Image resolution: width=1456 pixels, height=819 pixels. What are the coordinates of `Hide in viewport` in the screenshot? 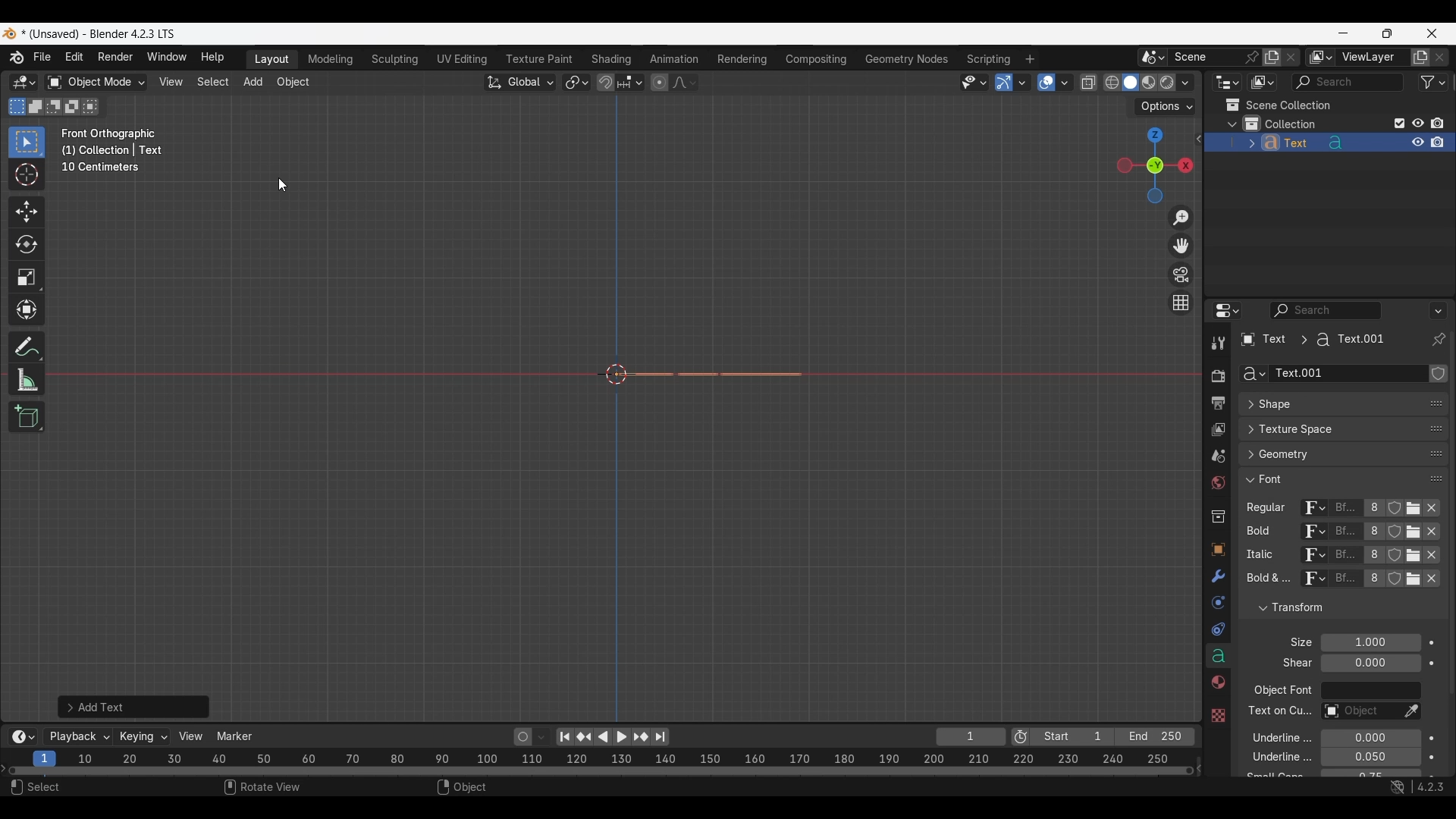 It's located at (1417, 123).